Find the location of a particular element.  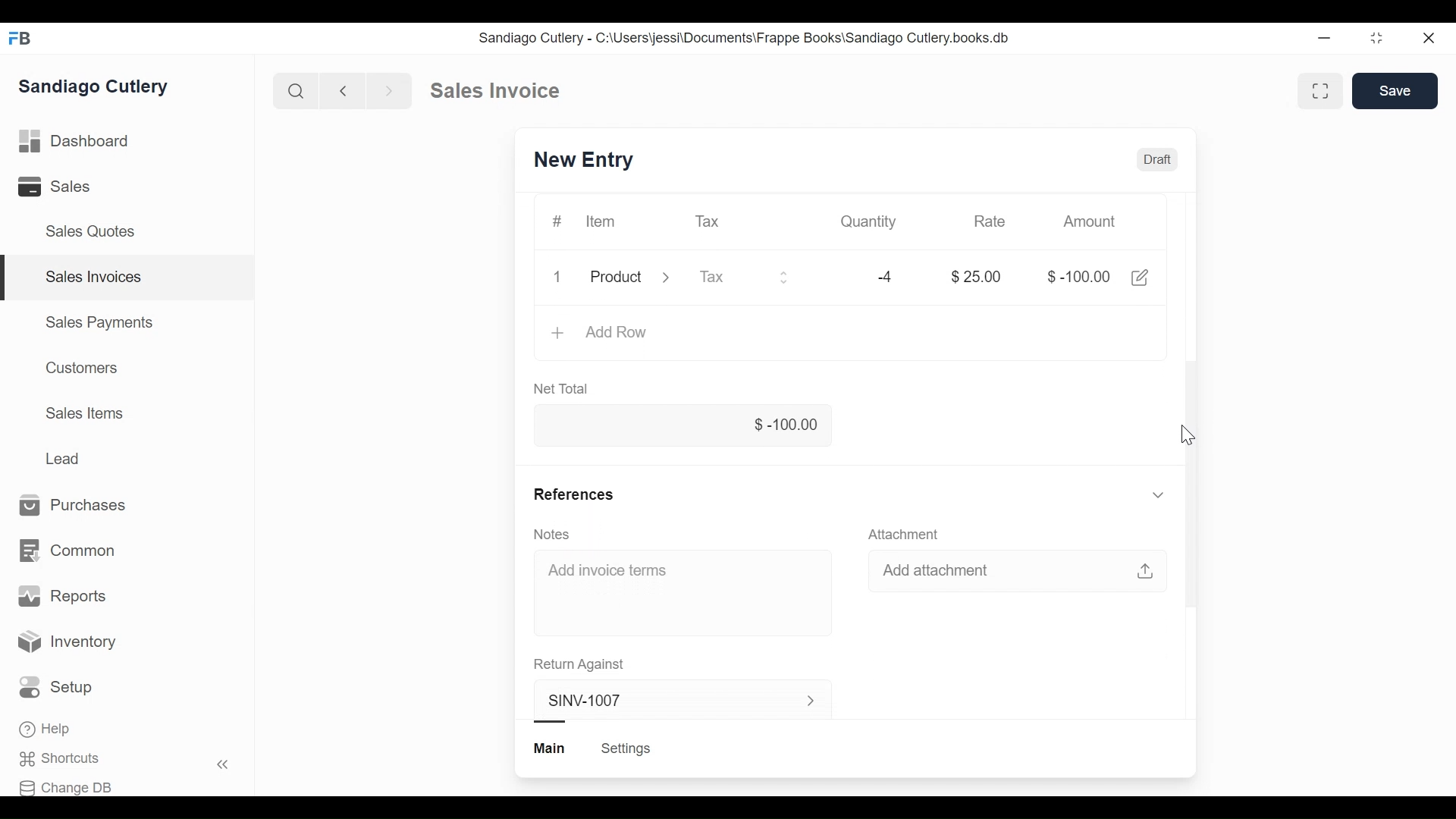

 Common is located at coordinates (69, 550).